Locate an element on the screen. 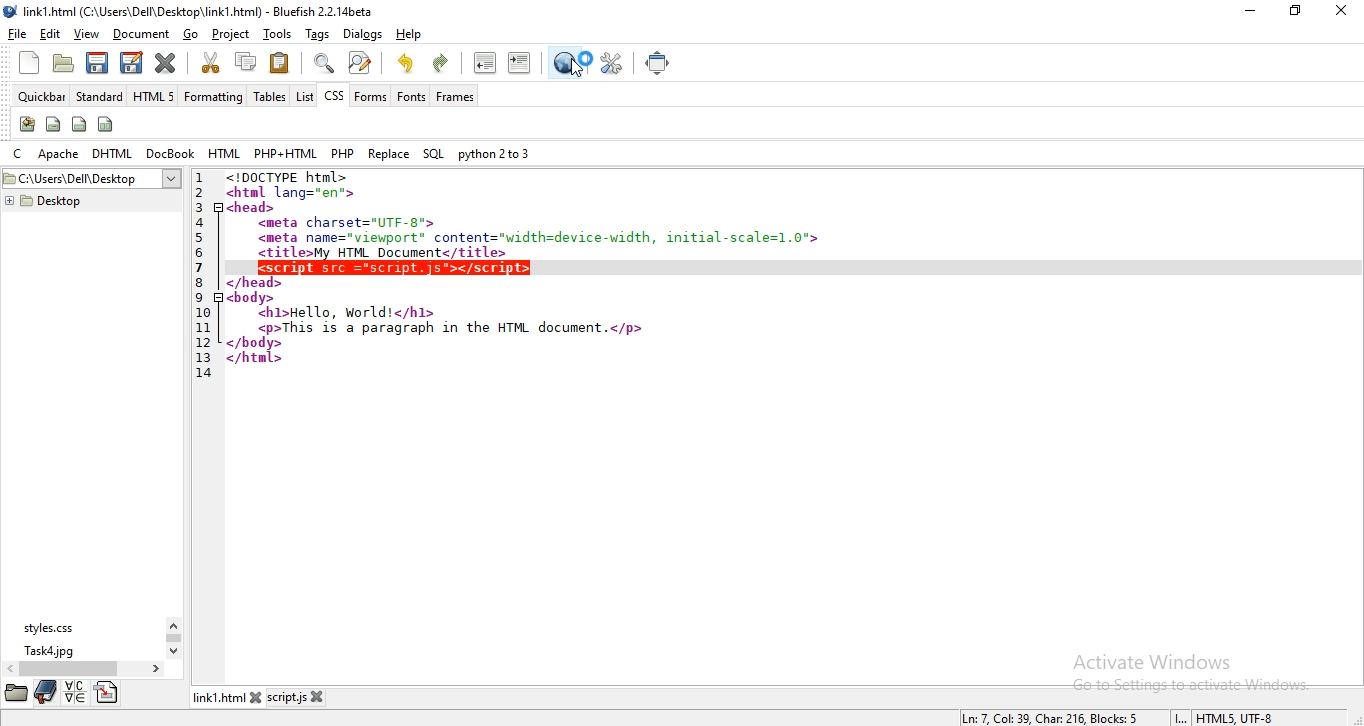 This screenshot has width=1364, height=726. directory is located at coordinates (107, 692).